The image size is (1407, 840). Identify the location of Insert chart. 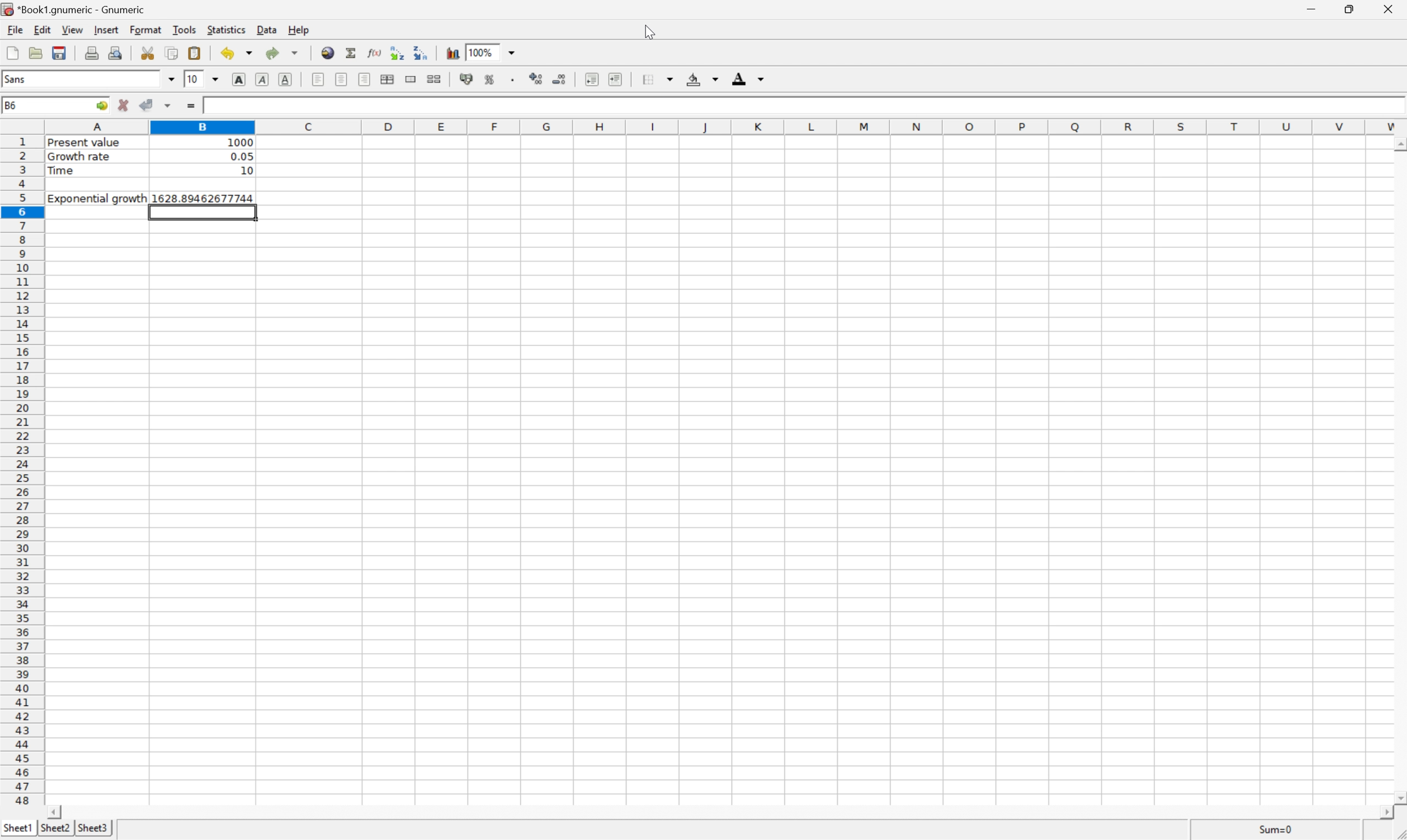
(454, 53).